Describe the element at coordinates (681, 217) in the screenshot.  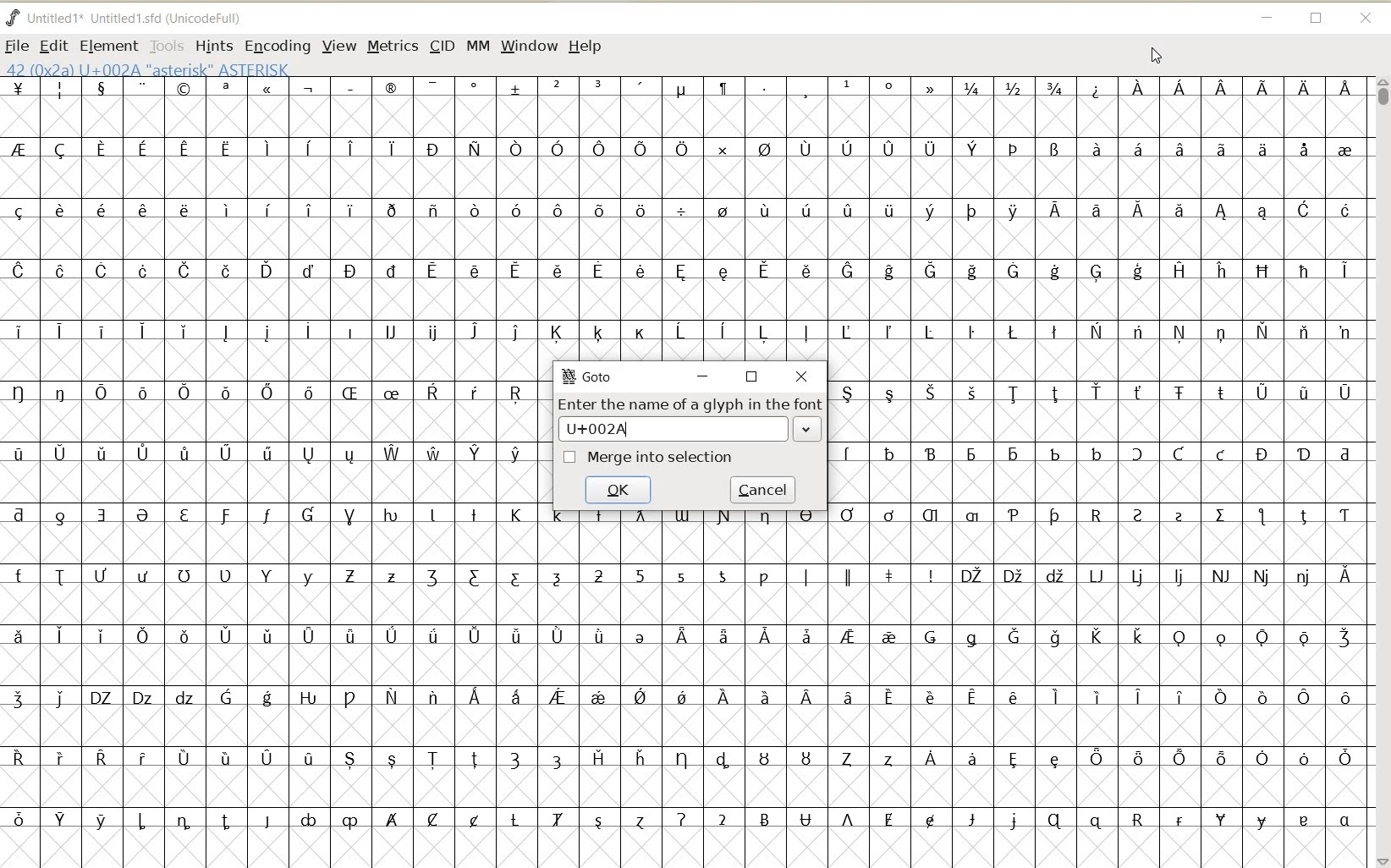
I see `GLYPHY CHARACTERS & NUMBERS` at that location.